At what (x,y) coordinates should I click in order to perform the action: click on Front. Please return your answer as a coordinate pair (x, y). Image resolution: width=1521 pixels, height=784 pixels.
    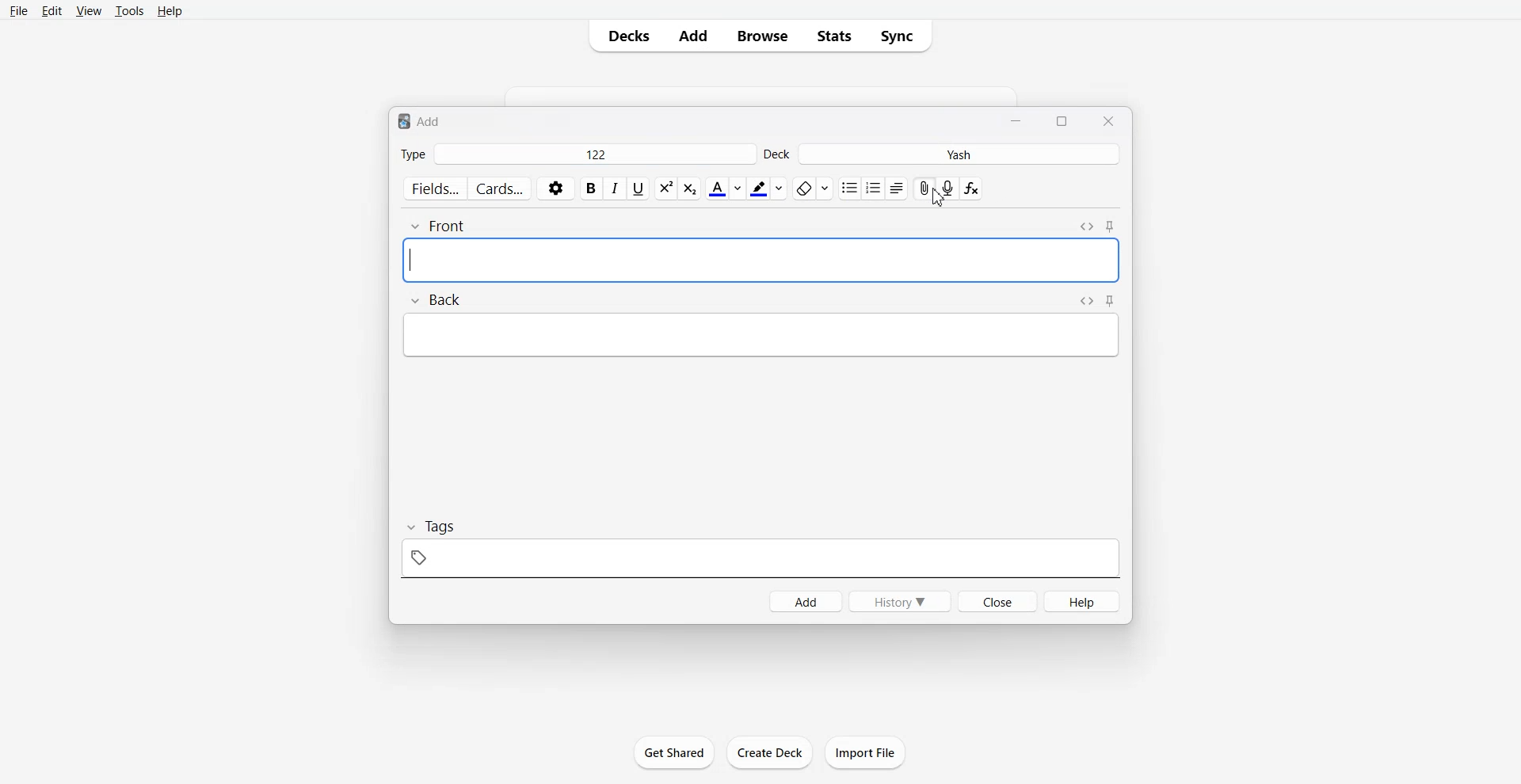
    Looking at the image, I should click on (436, 226).